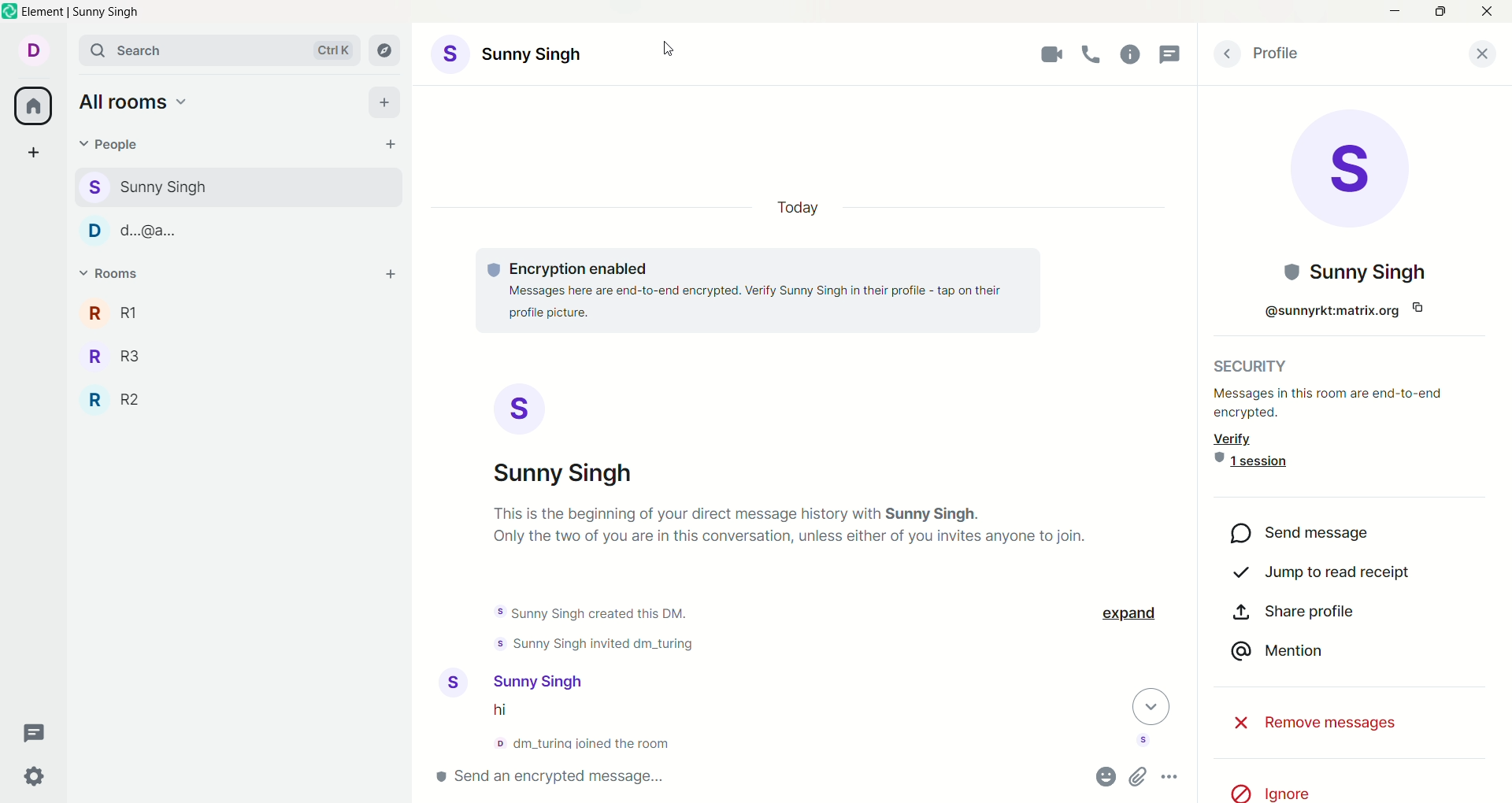  What do you see at coordinates (132, 98) in the screenshot?
I see `all rooms` at bounding box center [132, 98].